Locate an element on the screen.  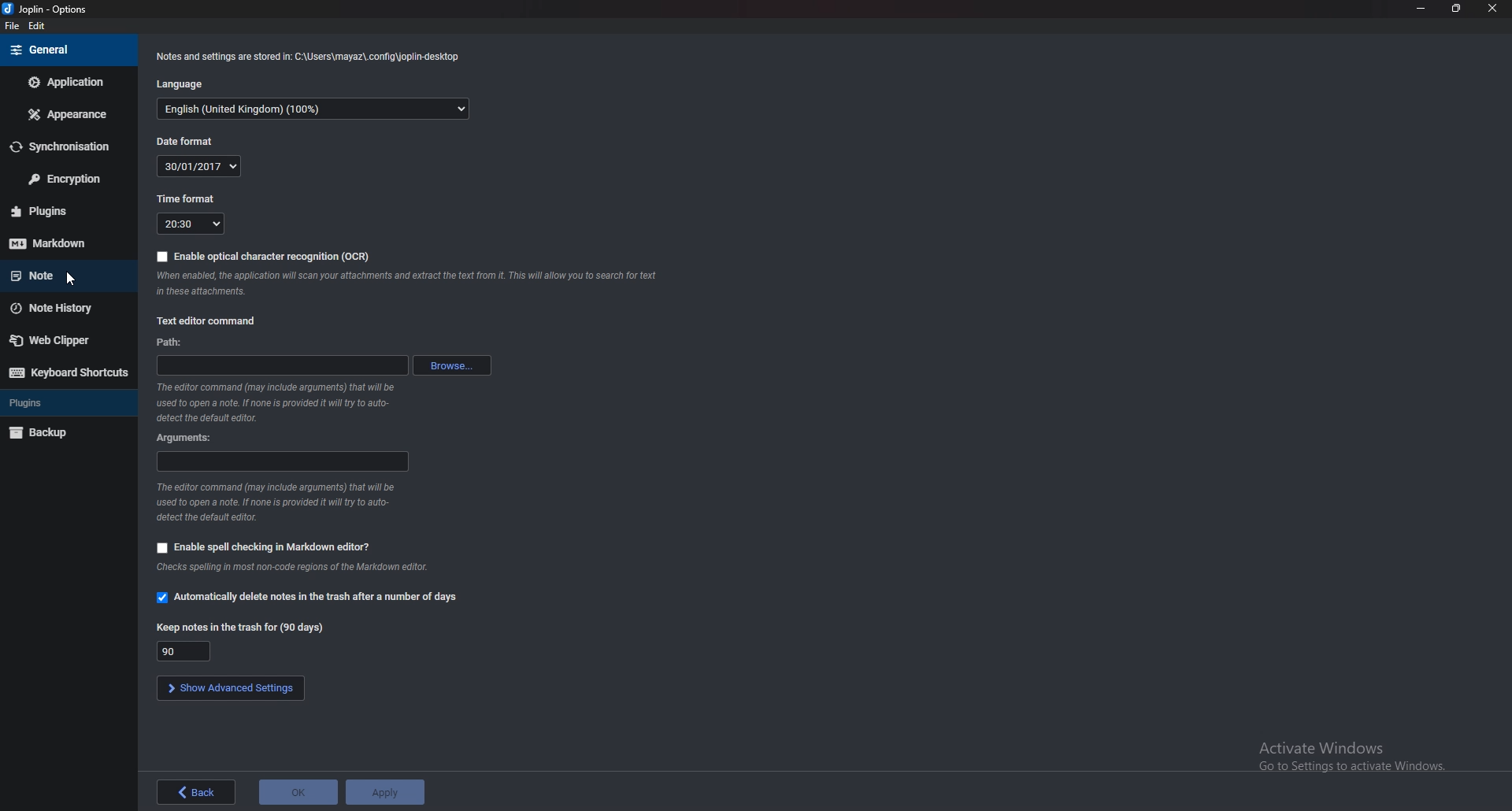
Time format is located at coordinates (187, 198).